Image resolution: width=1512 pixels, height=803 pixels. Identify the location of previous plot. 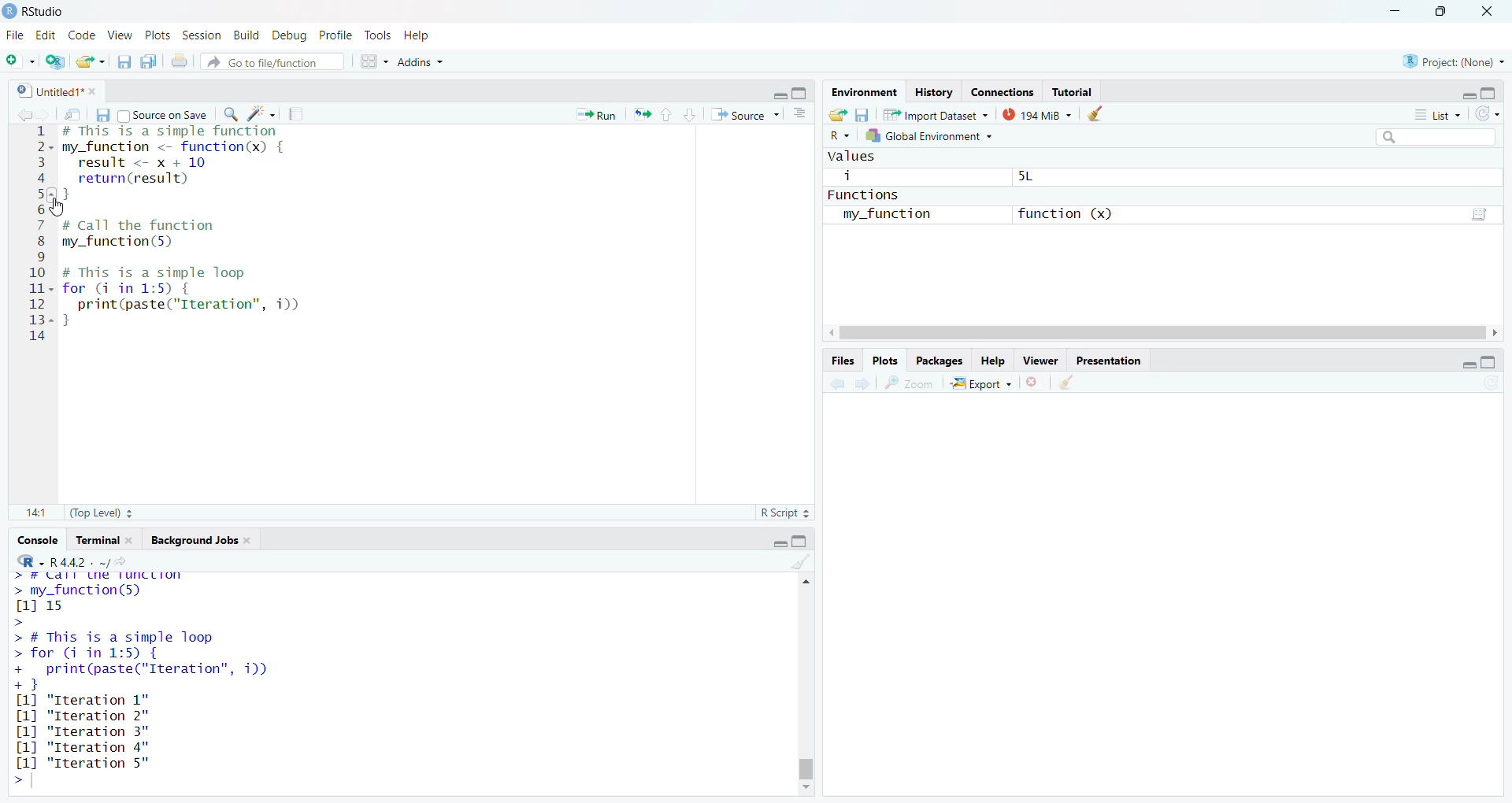
(833, 385).